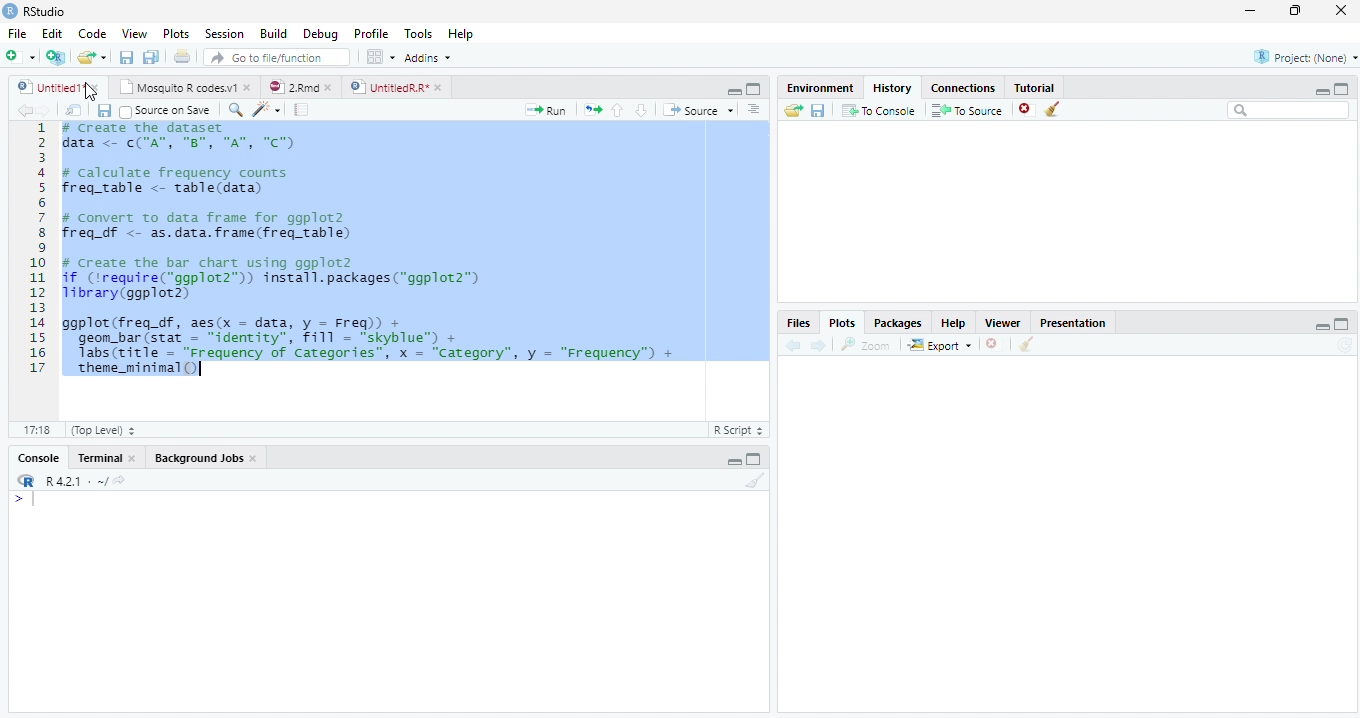 This screenshot has height=718, width=1360. I want to click on Clear Console, so click(1052, 108).